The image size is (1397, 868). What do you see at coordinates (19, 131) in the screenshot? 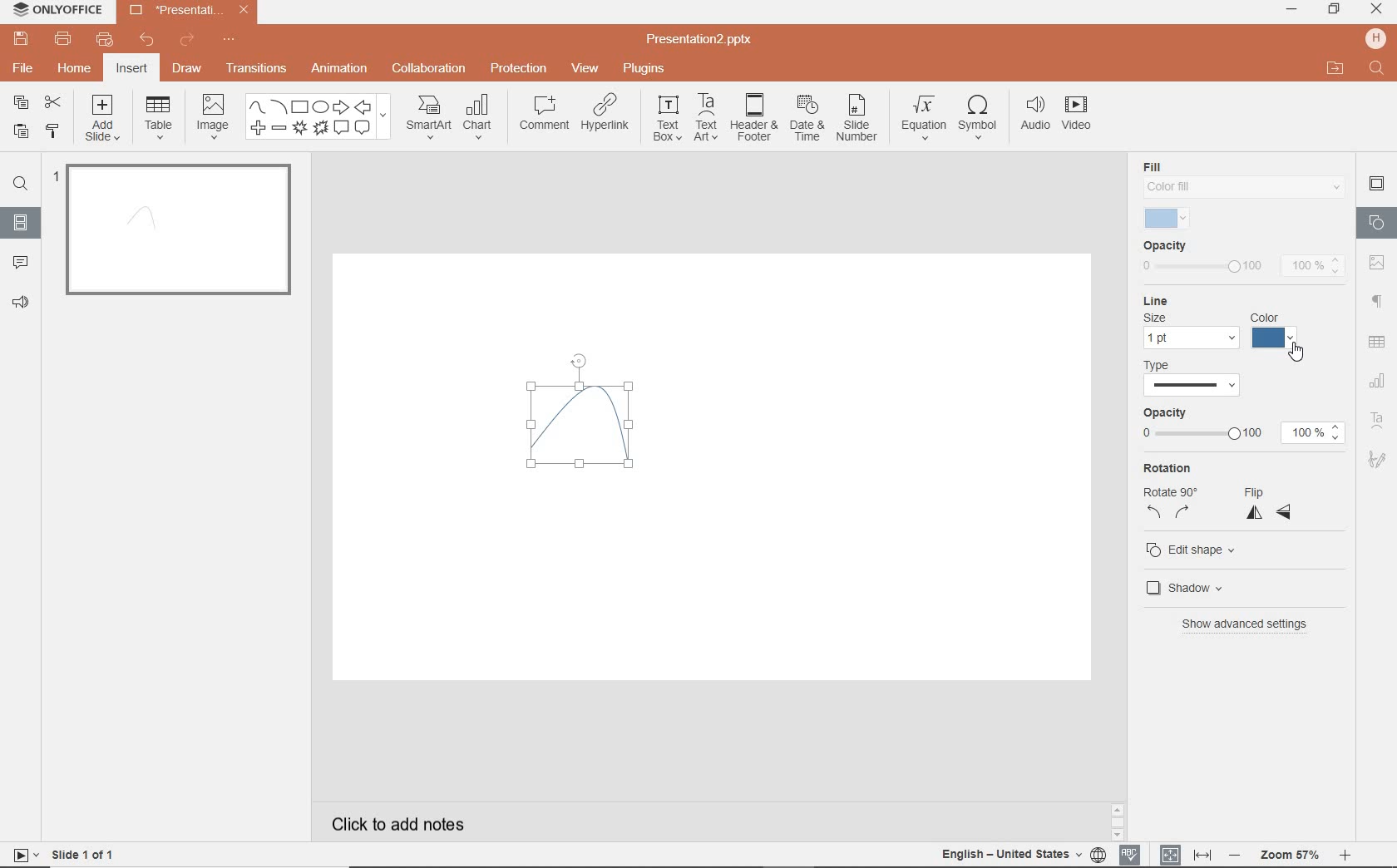
I see `PASTE` at bounding box center [19, 131].